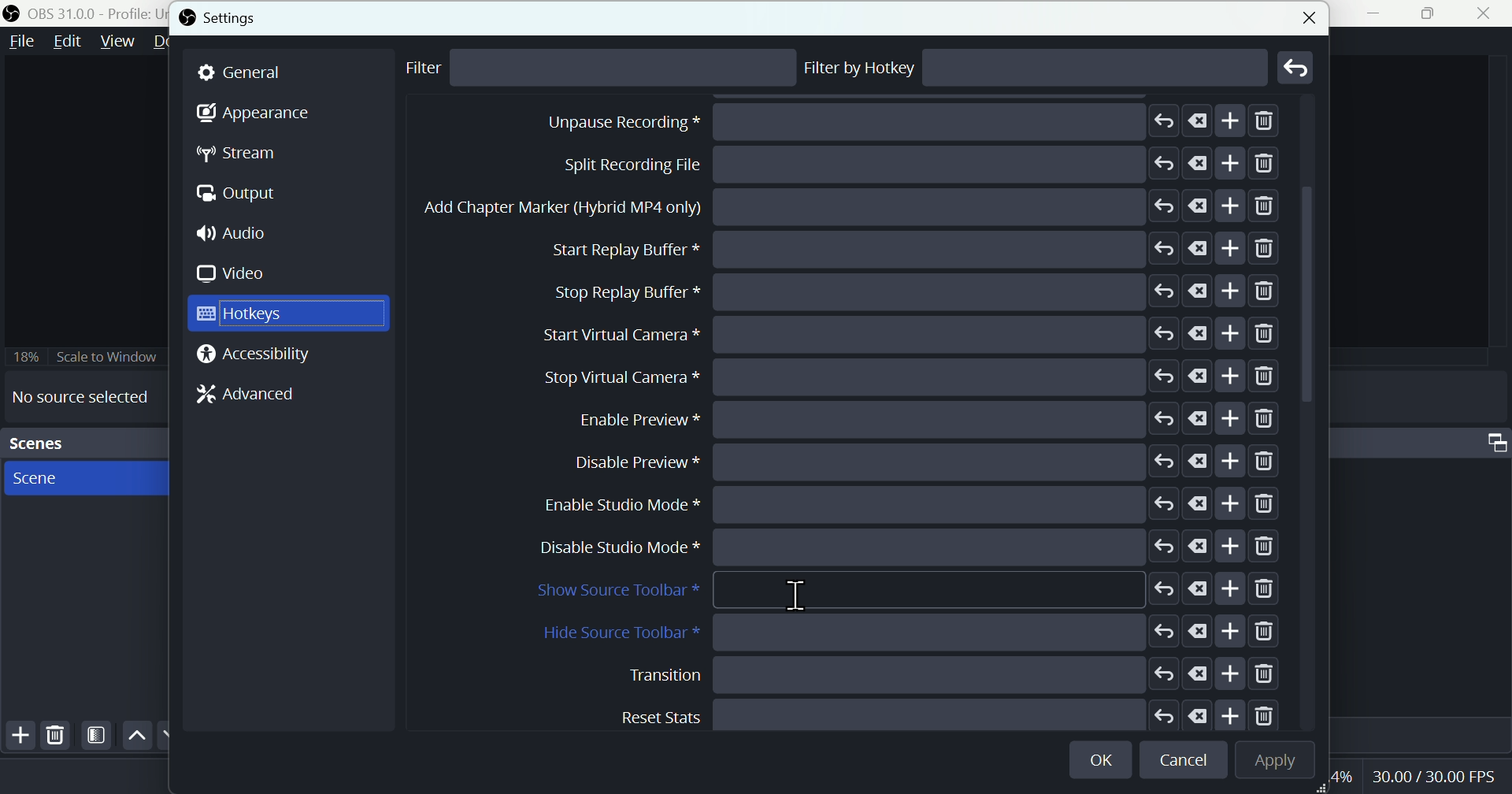  Describe the element at coordinates (1272, 761) in the screenshot. I see `Apply` at that location.